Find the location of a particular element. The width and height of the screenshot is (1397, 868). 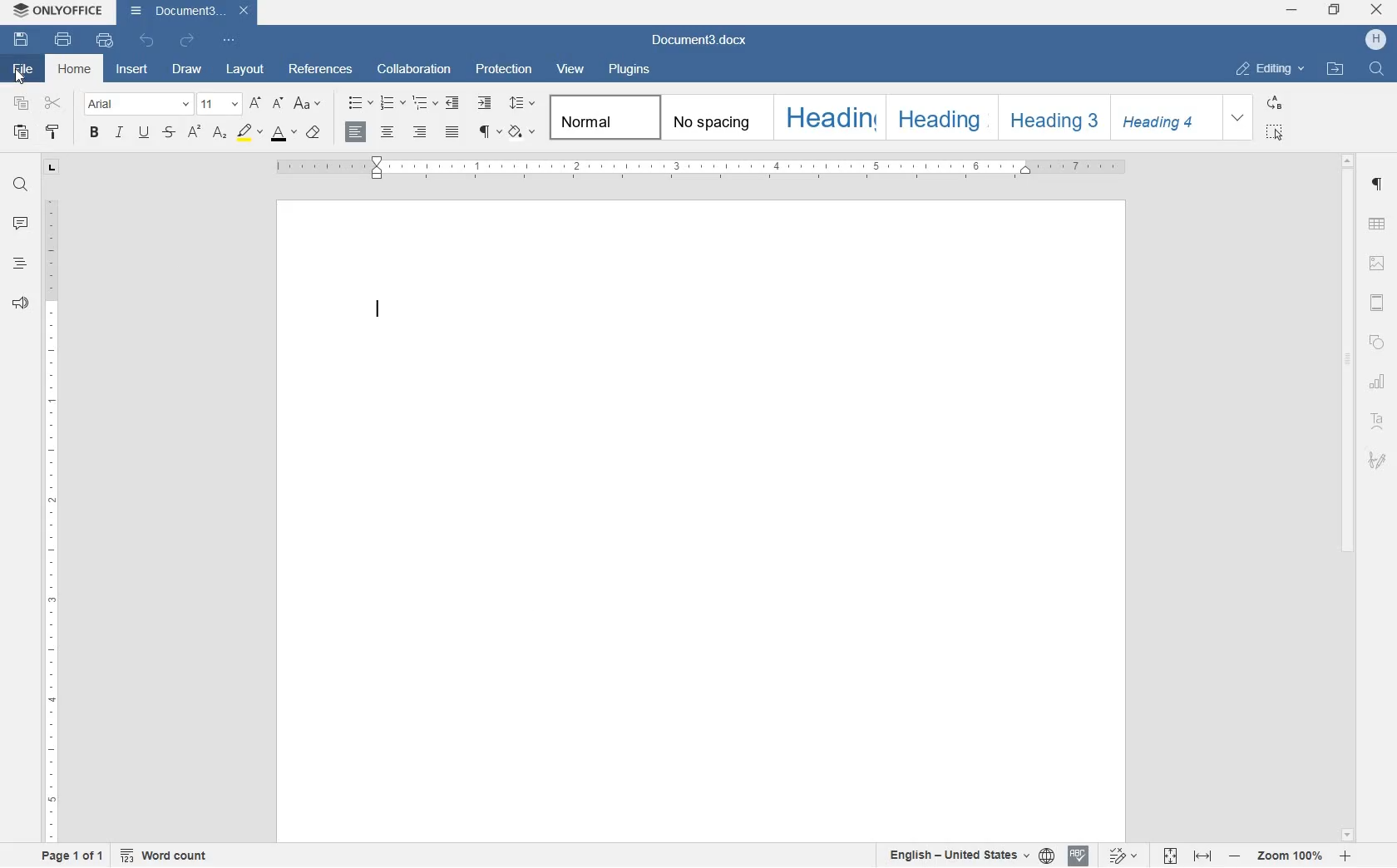

shape settings is located at coordinates (1379, 340).